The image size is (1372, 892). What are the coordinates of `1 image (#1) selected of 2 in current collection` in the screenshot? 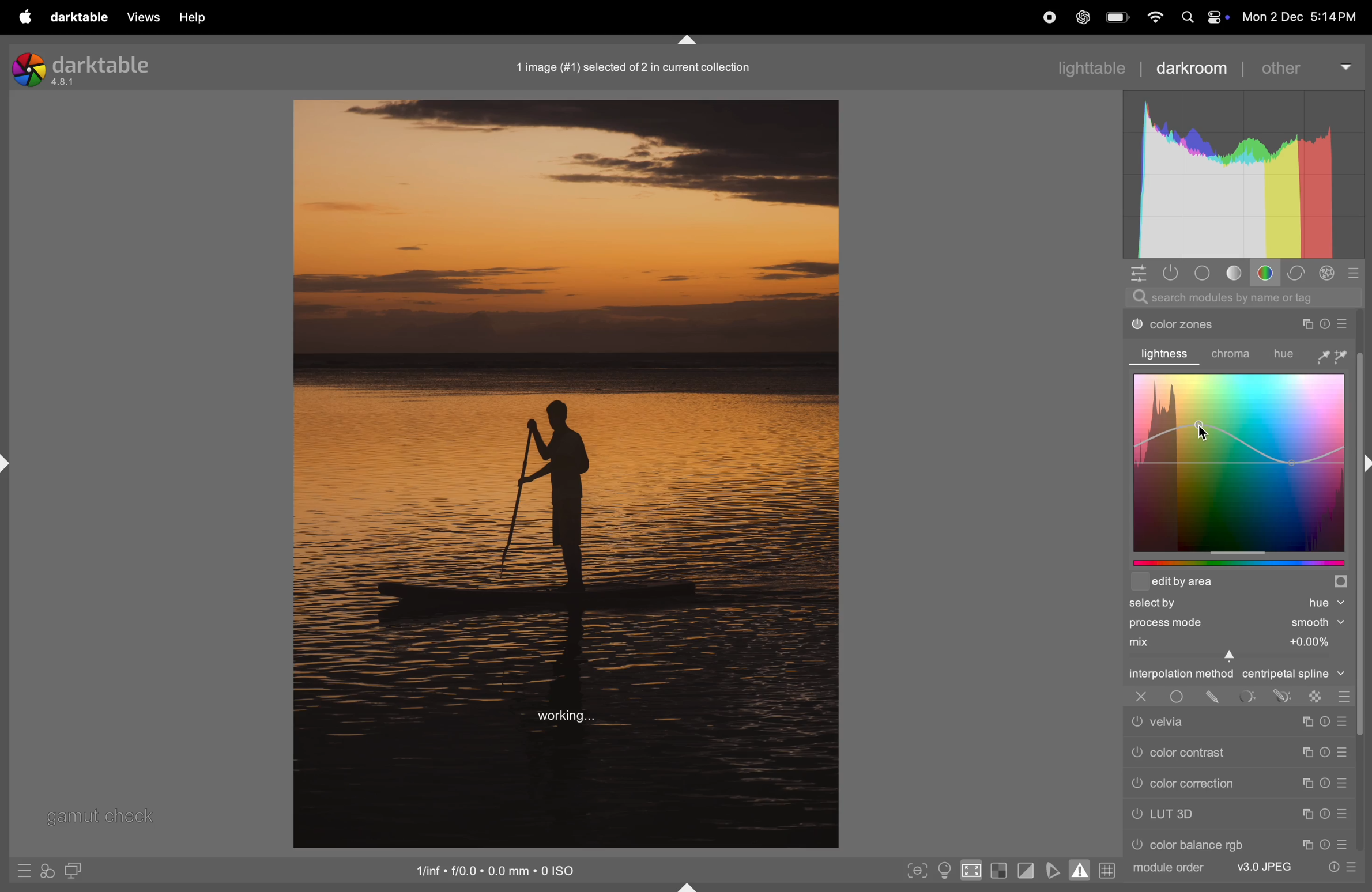 It's located at (632, 69).